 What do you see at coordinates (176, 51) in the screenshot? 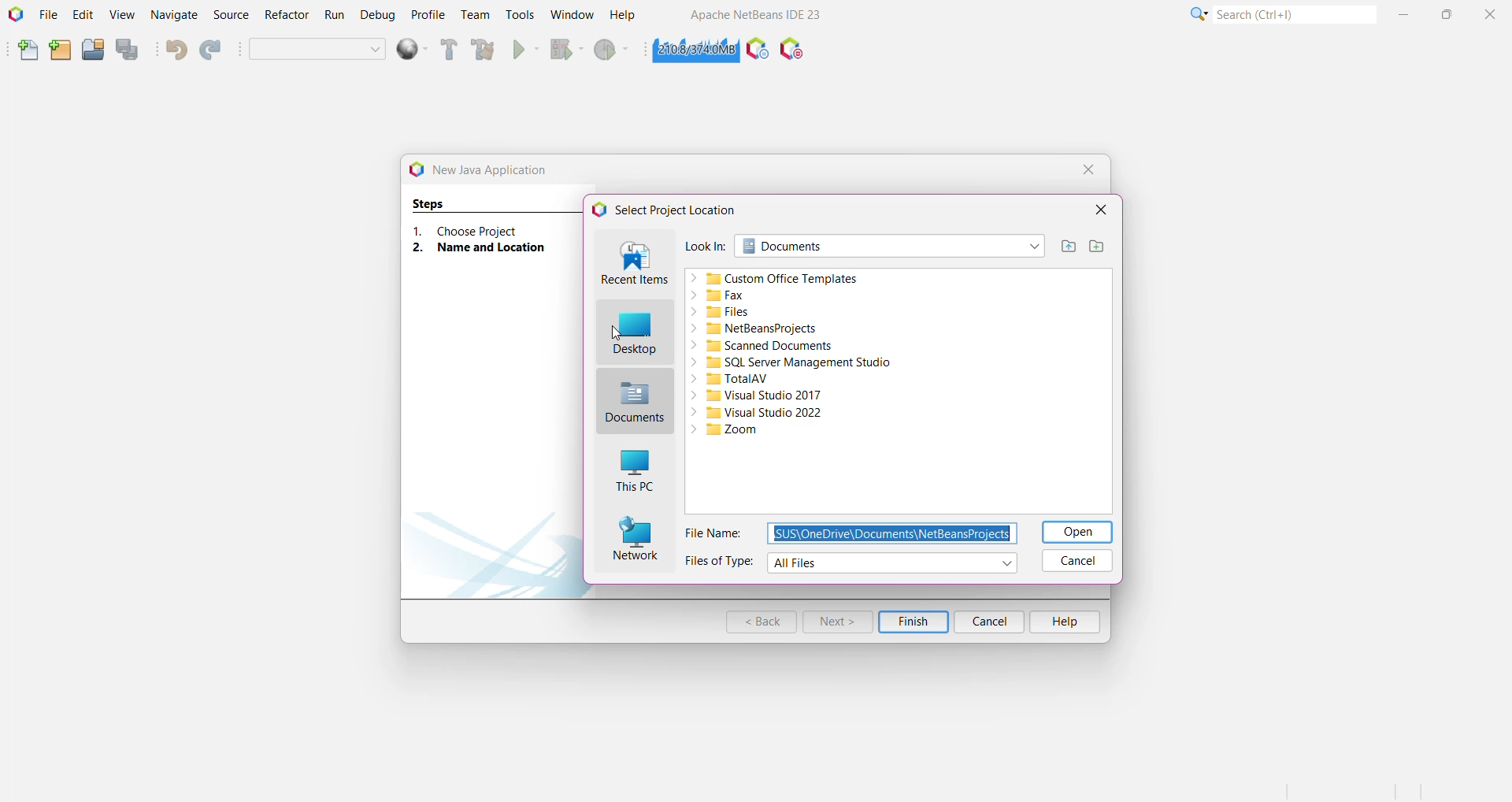
I see `Undo` at bounding box center [176, 51].